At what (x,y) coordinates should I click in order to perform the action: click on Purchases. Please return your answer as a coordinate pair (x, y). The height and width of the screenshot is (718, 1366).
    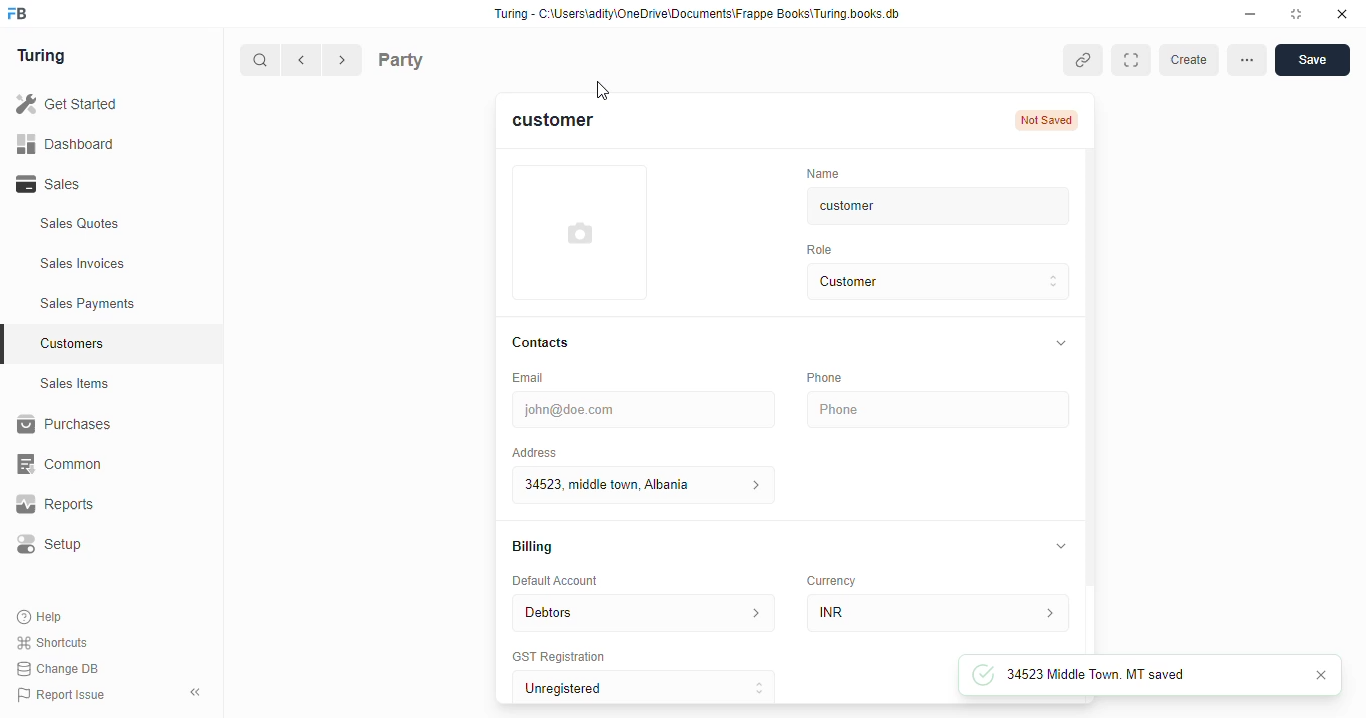
    Looking at the image, I should click on (100, 427).